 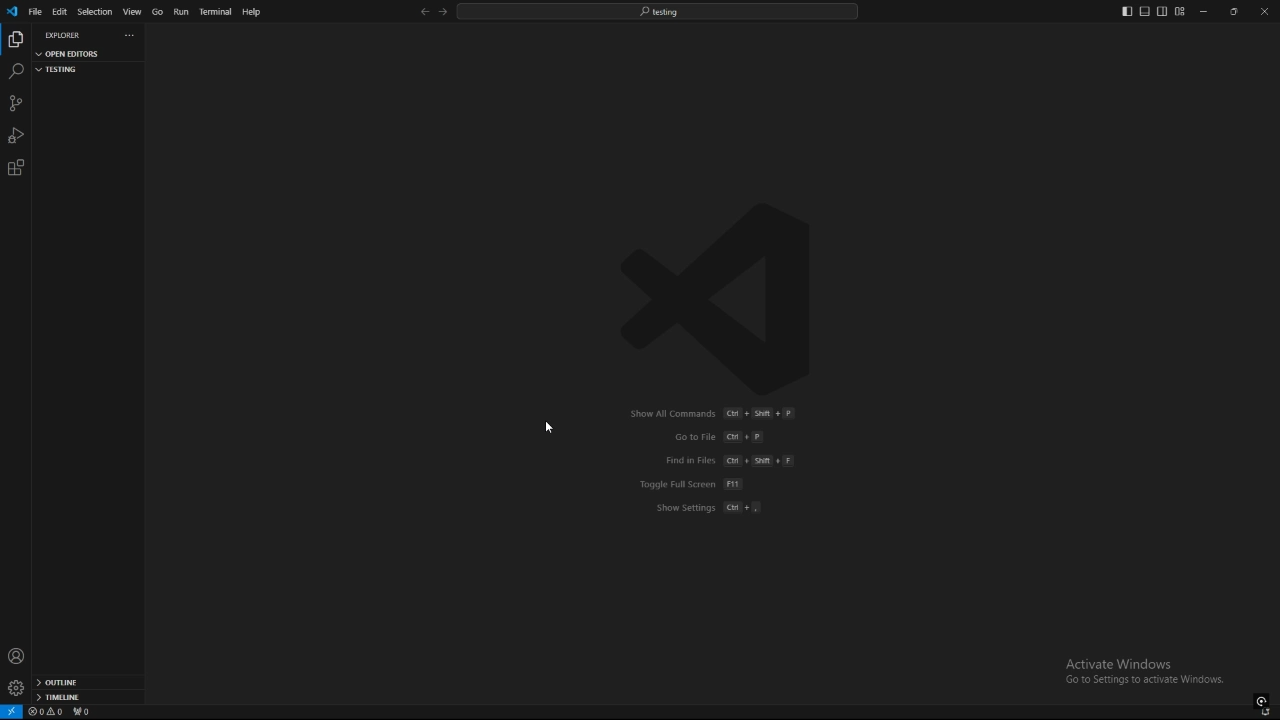 What do you see at coordinates (16, 168) in the screenshot?
I see `extensions` at bounding box center [16, 168].